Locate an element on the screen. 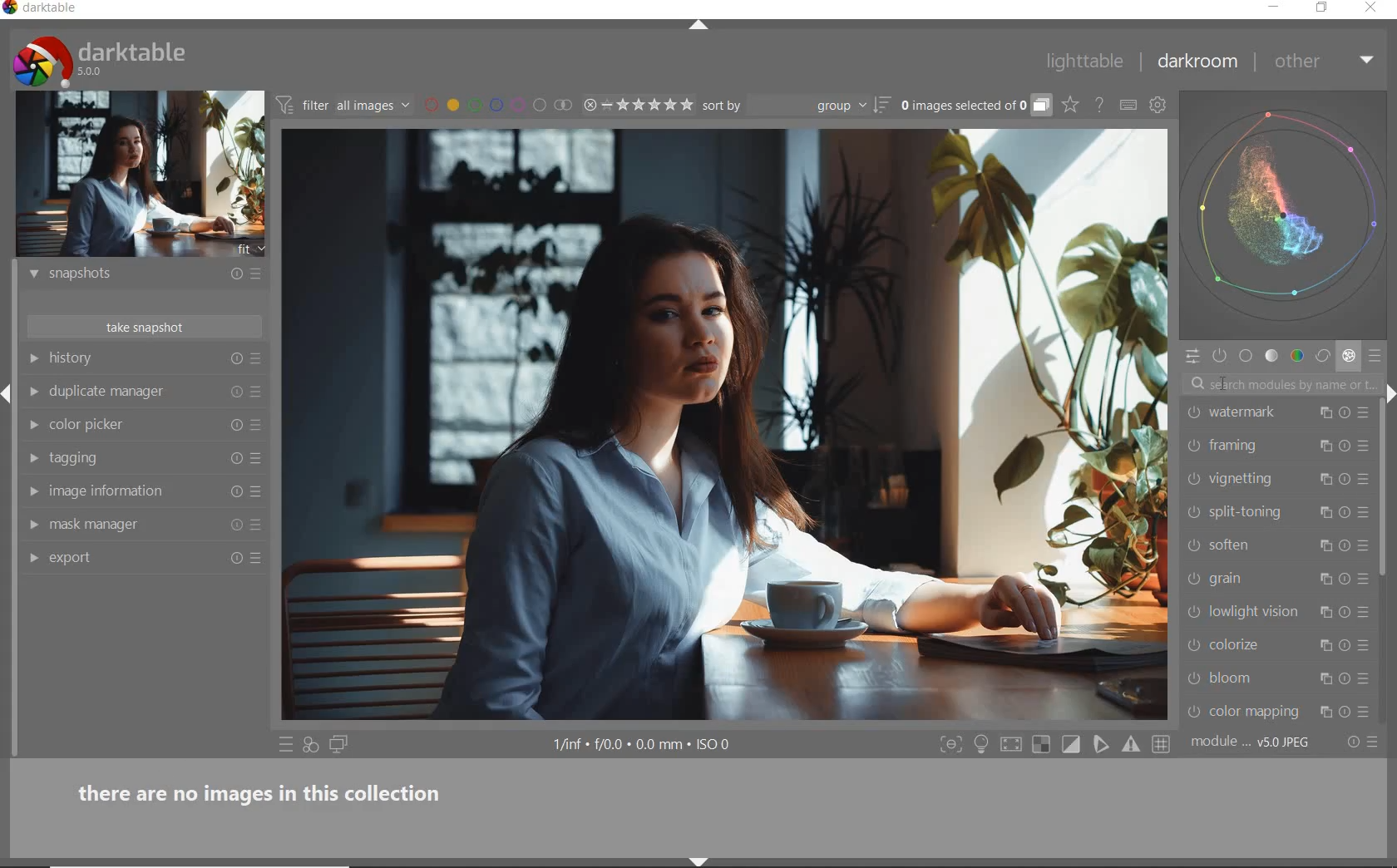  Shift+ctrl+t is located at coordinates (706, 26).